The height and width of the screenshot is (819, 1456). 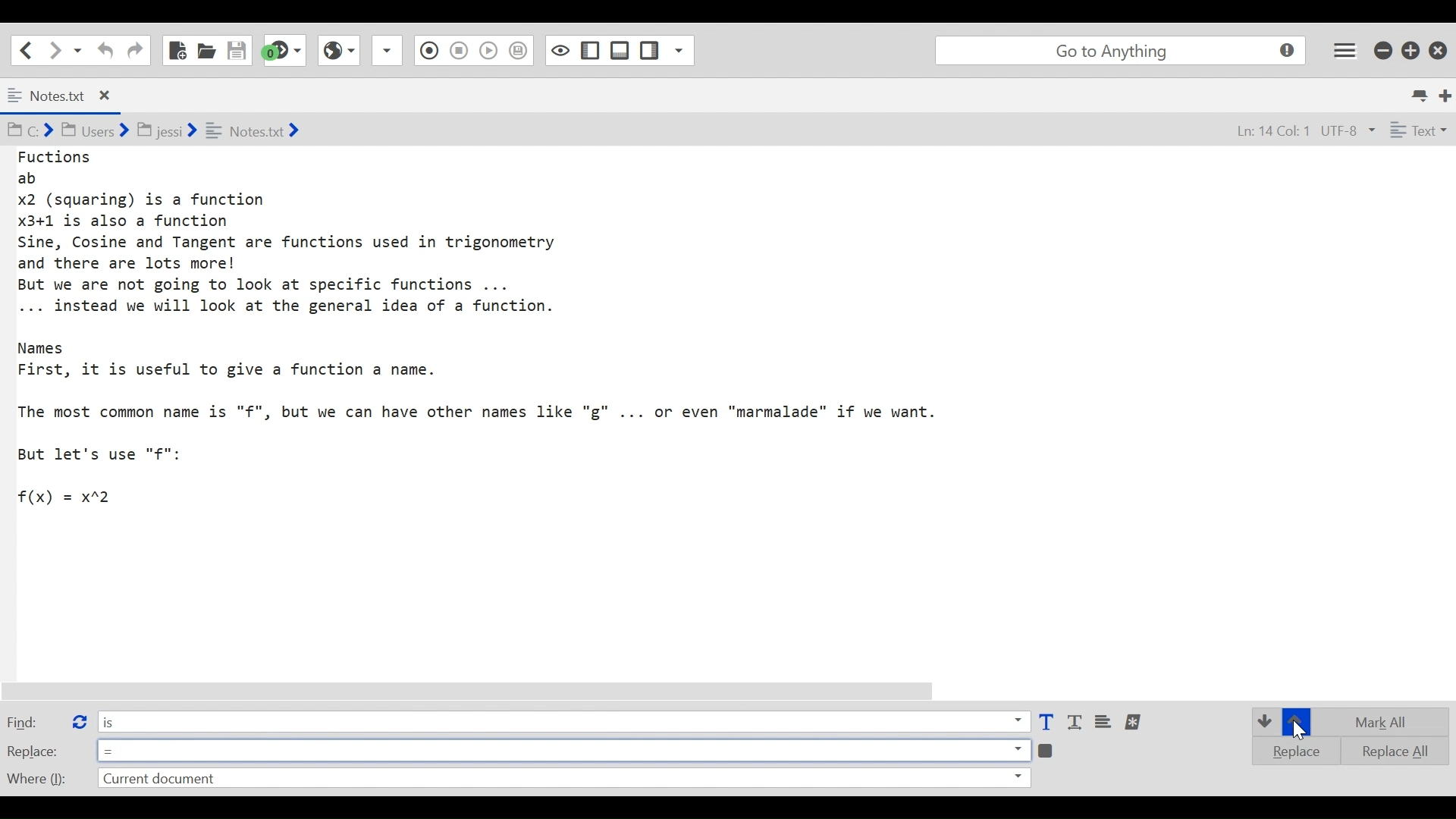 What do you see at coordinates (1291, 751) in the screenshot?
I see `Replace` at bounding box center [1291, 751].